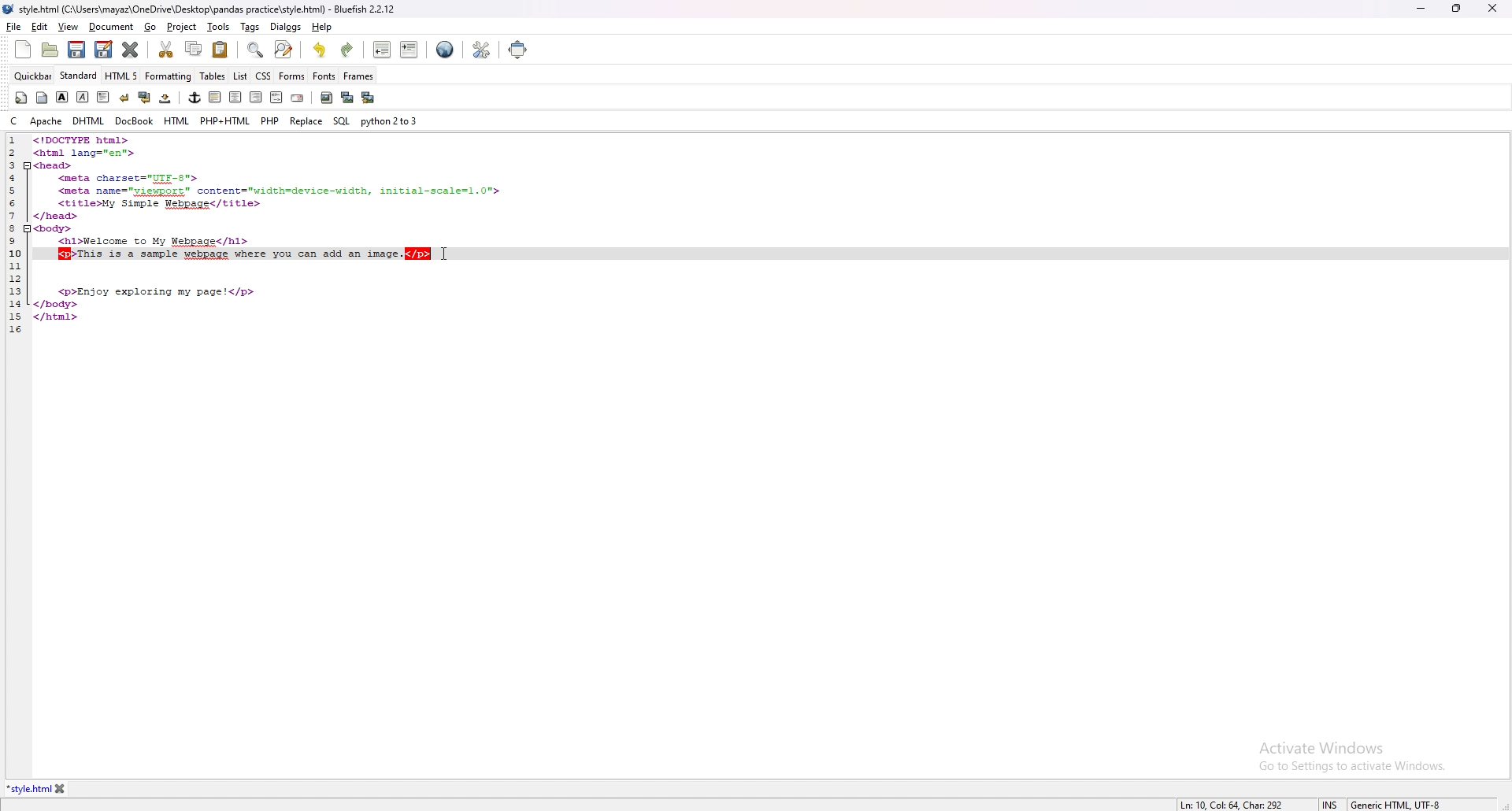 The image size is (1512, 811). What do you see at coordinates (55, 229) in the screenshot?
I see `<body>` at bounding box center [55, 229].